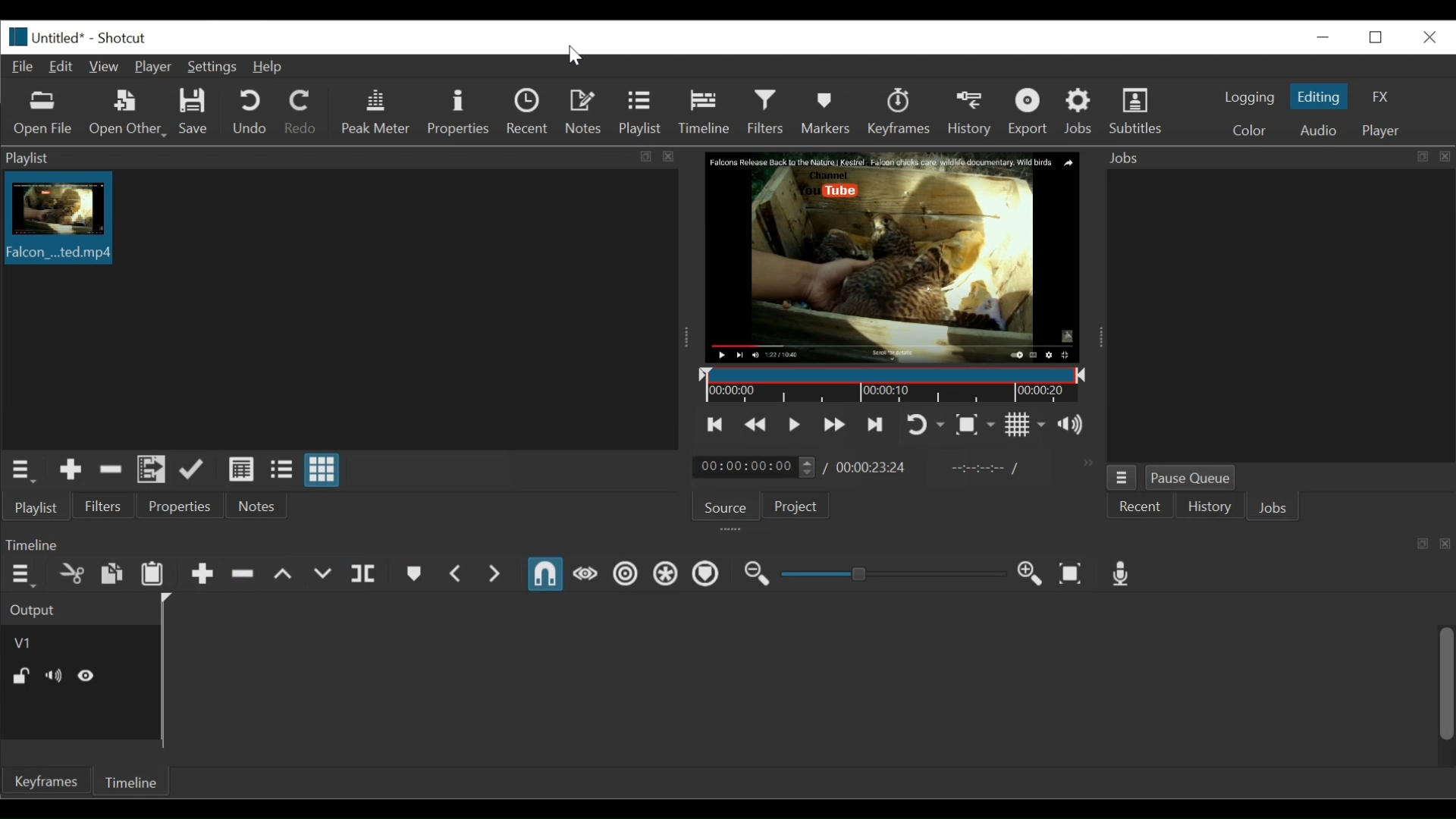 The height and width of the screenshot is (819, 1456). What do you see at coordinates (151, 472) in the screenshot?
I see `Add files to the playlist` at bounding box center [151, 472].